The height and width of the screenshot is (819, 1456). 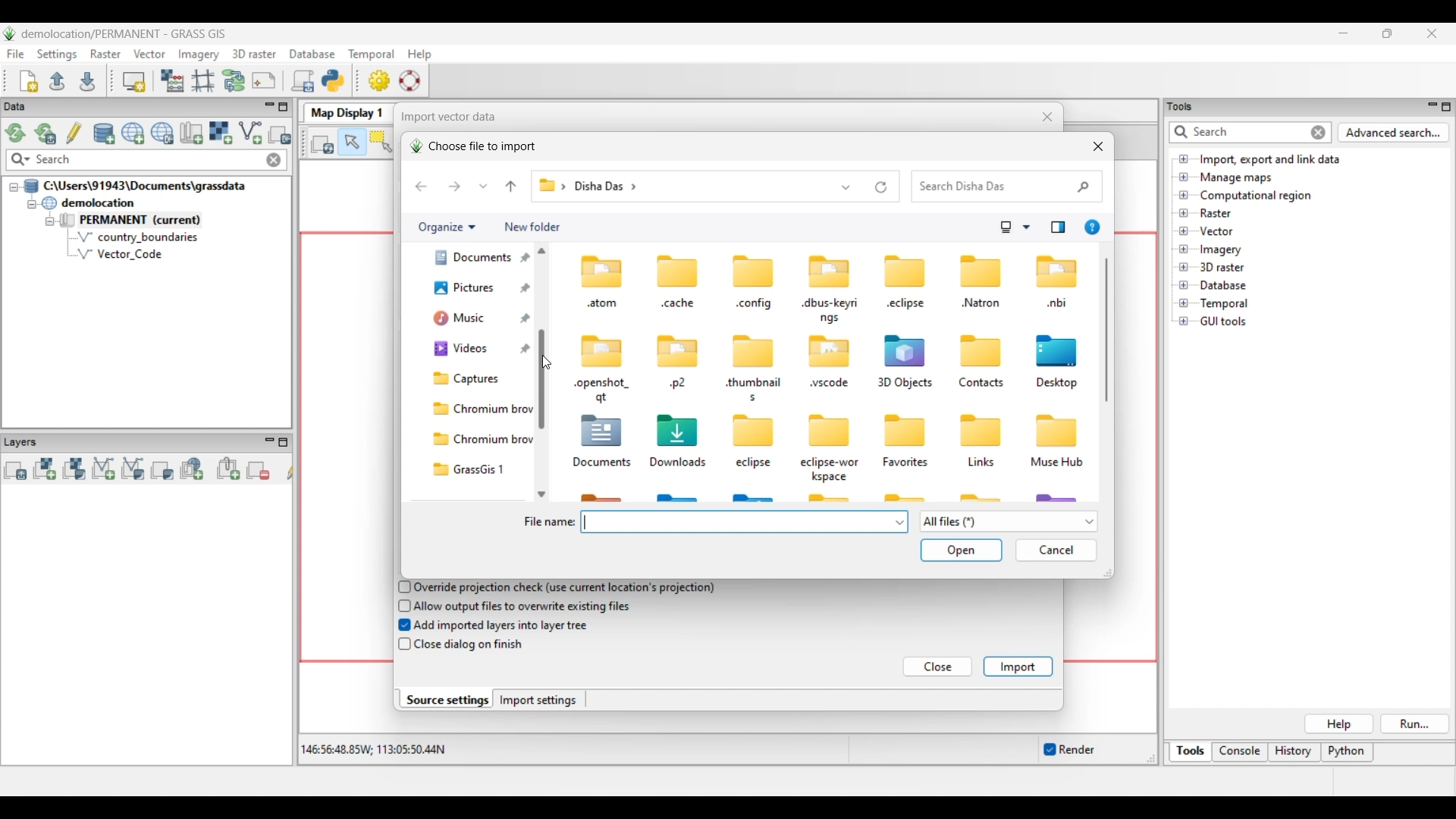 What do you see at coordinates (981, 270) in the screenshot?
I see `icon` at bounding box center [981, 270].